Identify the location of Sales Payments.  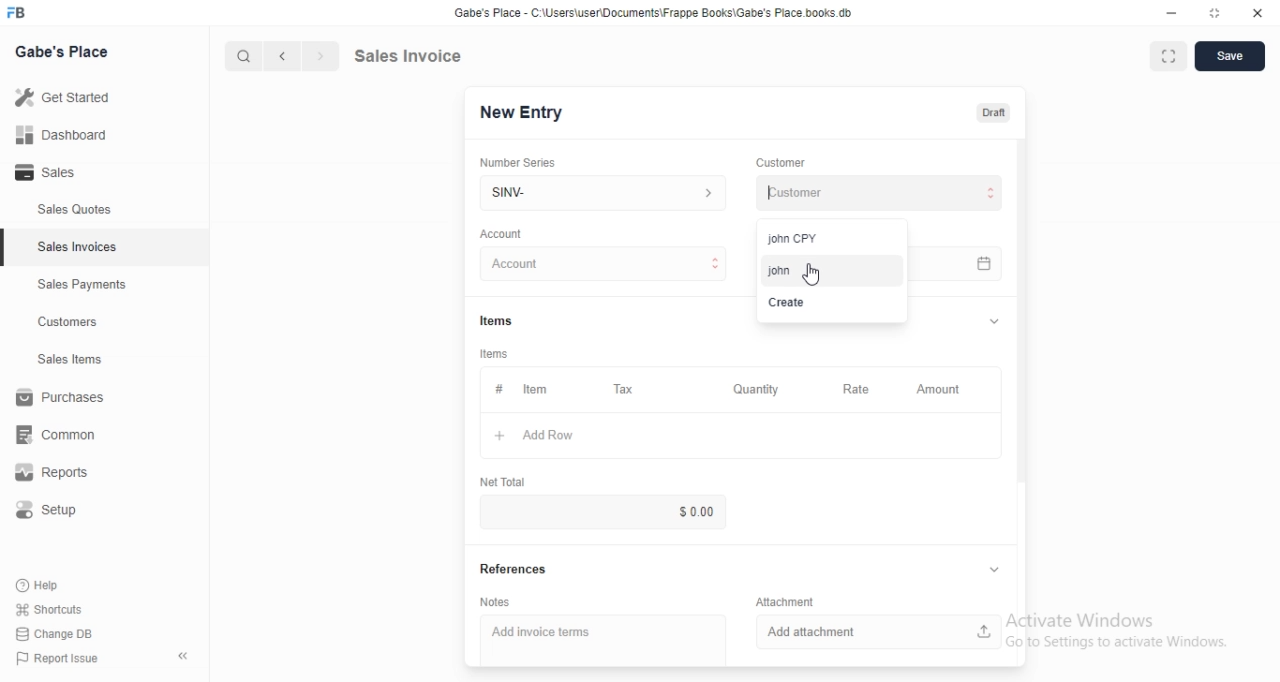
(77, 285).